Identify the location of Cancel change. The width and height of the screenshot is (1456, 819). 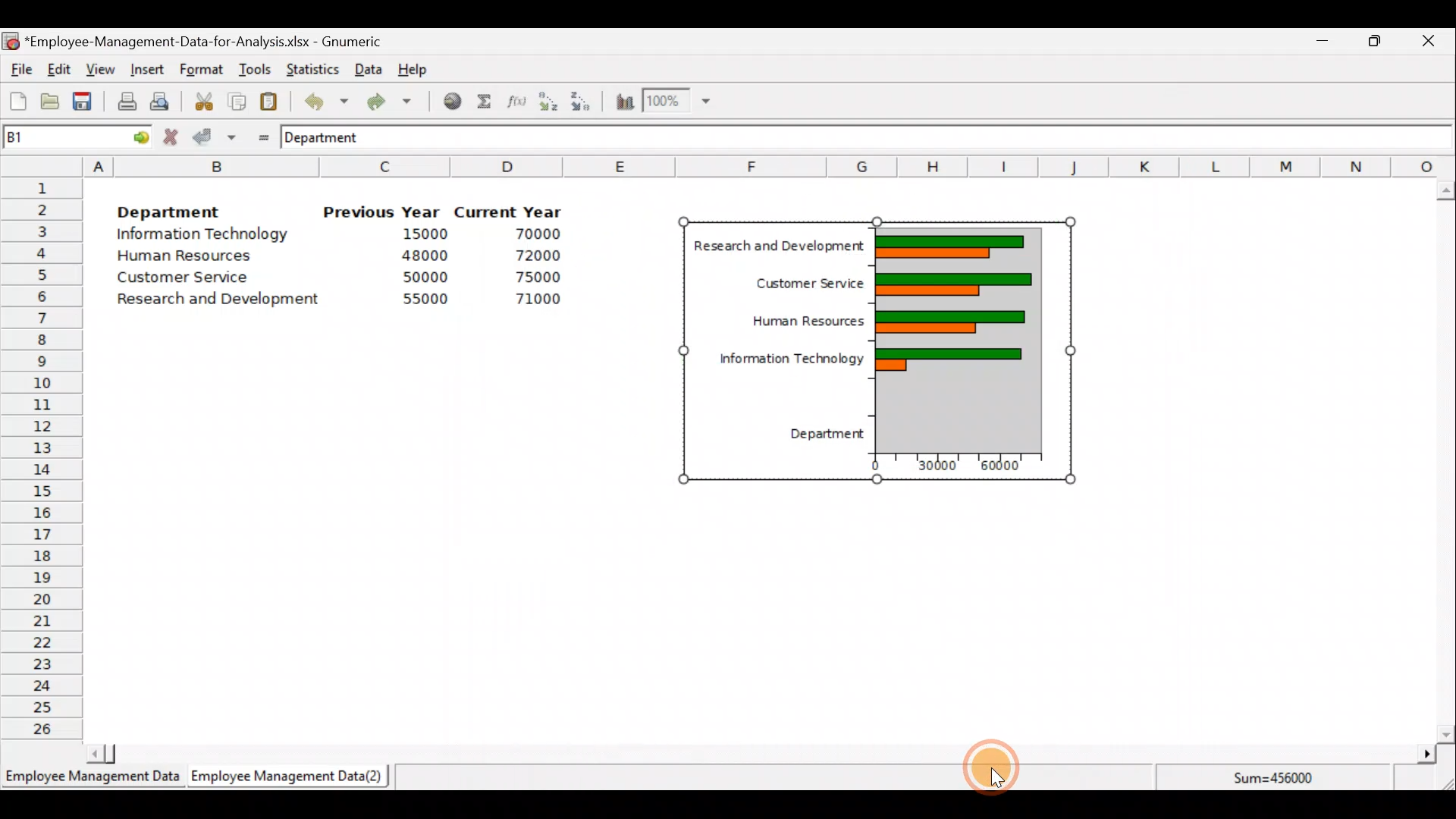
(173, 136).